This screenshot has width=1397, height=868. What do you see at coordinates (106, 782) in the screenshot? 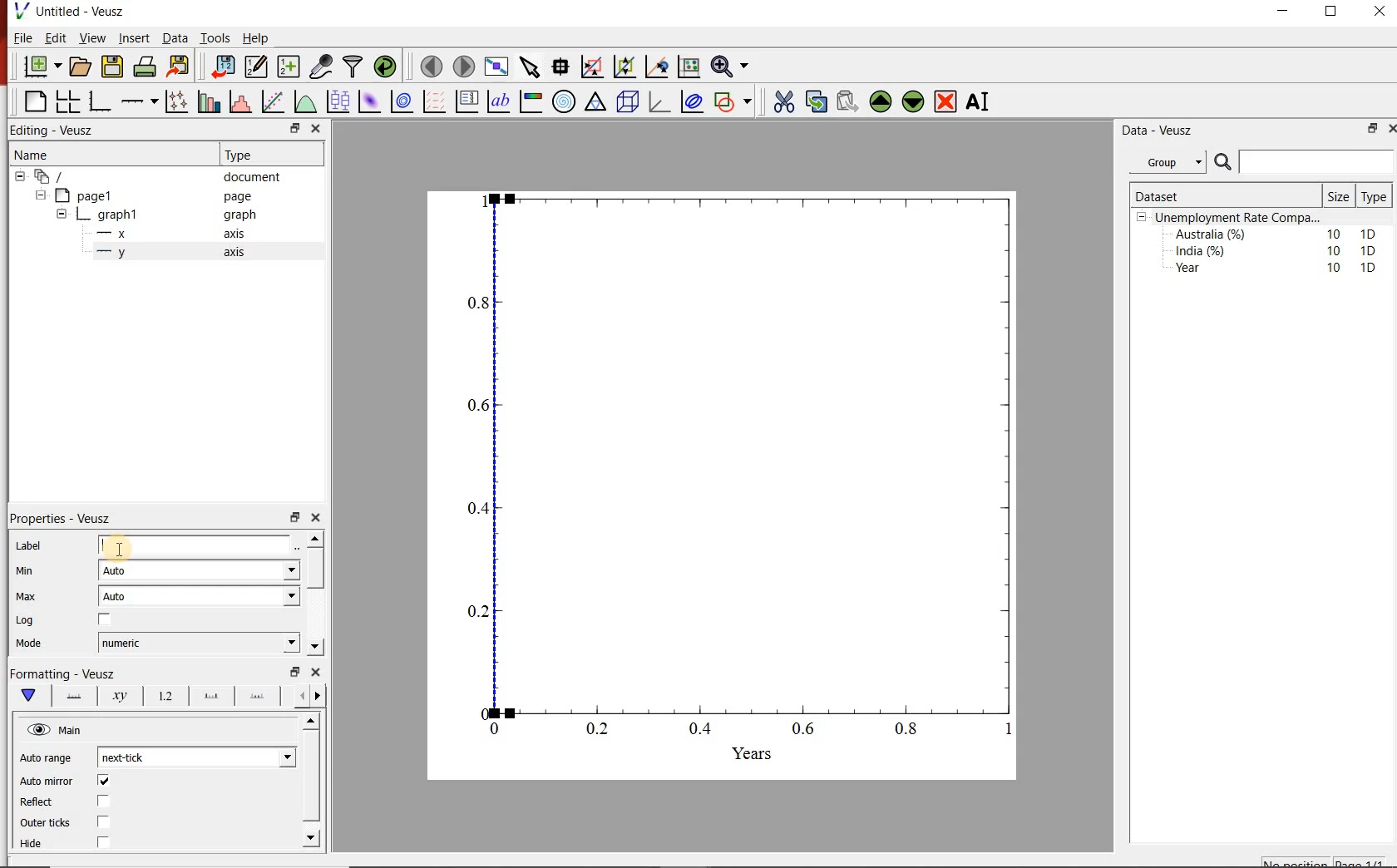
I see `checkbox` at bounding box center [106, 782].